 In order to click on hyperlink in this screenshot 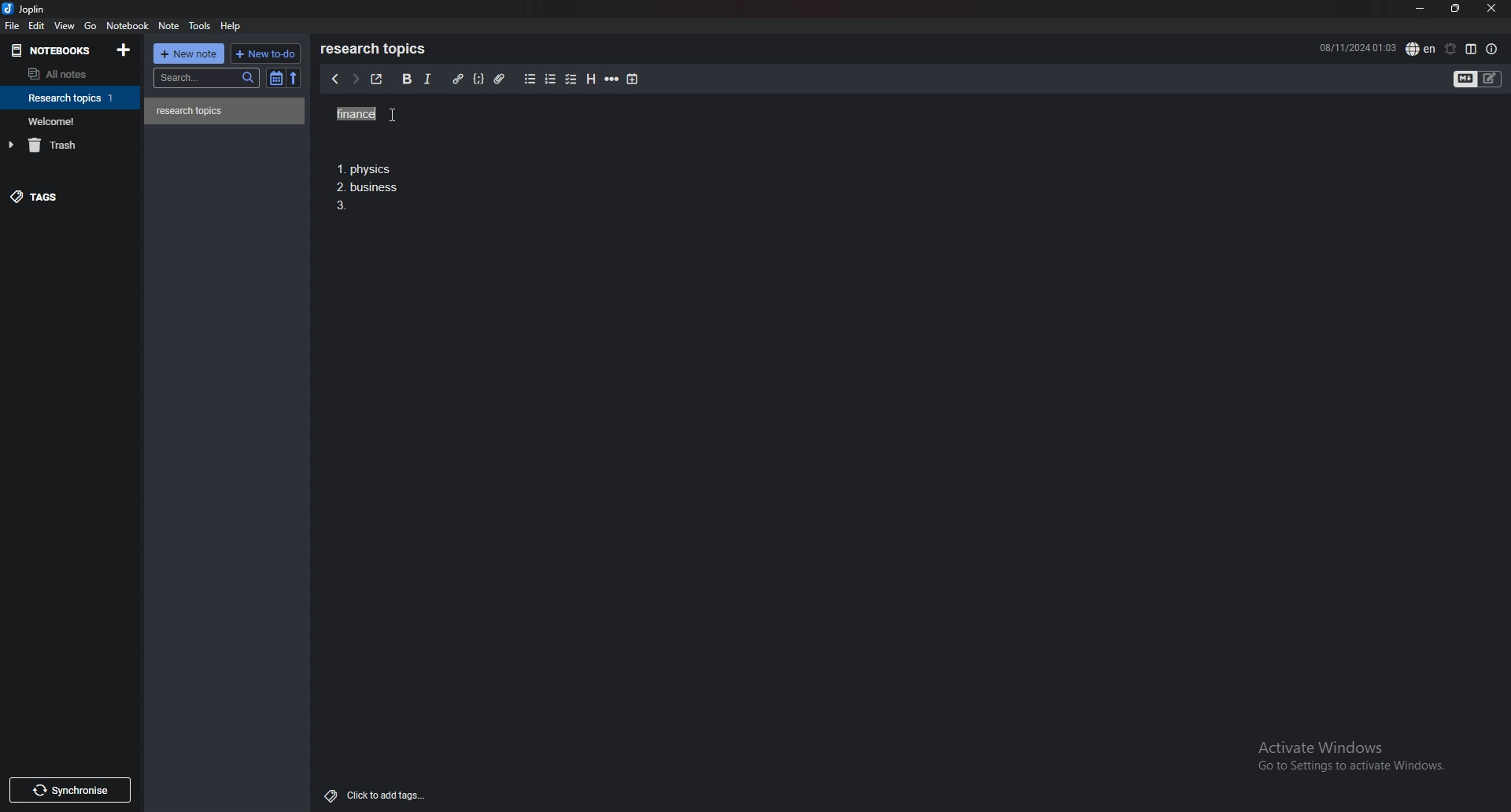, I will do `click(457, 79)`.